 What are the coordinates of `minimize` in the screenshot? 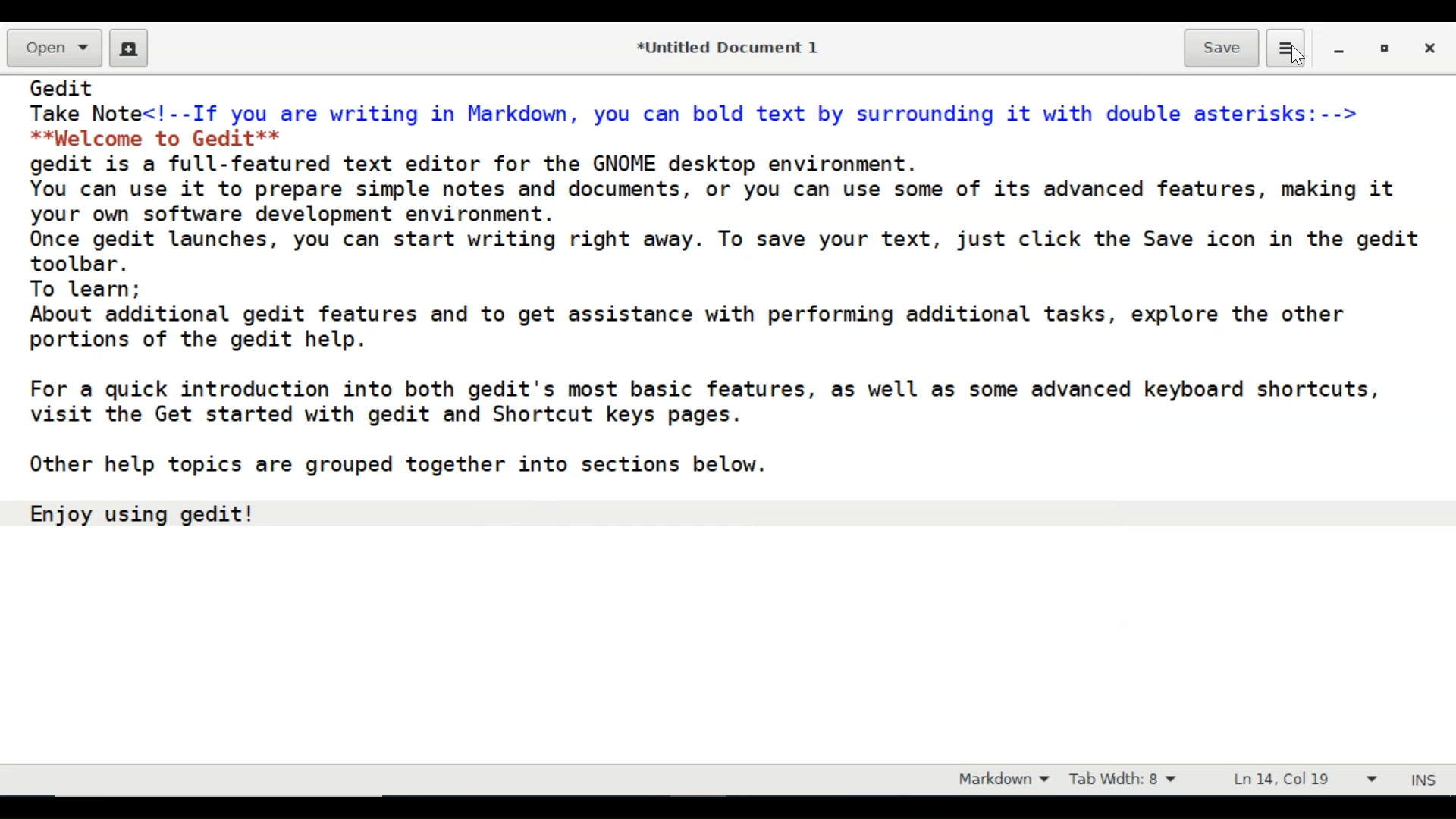 It's located at (1341, 51).